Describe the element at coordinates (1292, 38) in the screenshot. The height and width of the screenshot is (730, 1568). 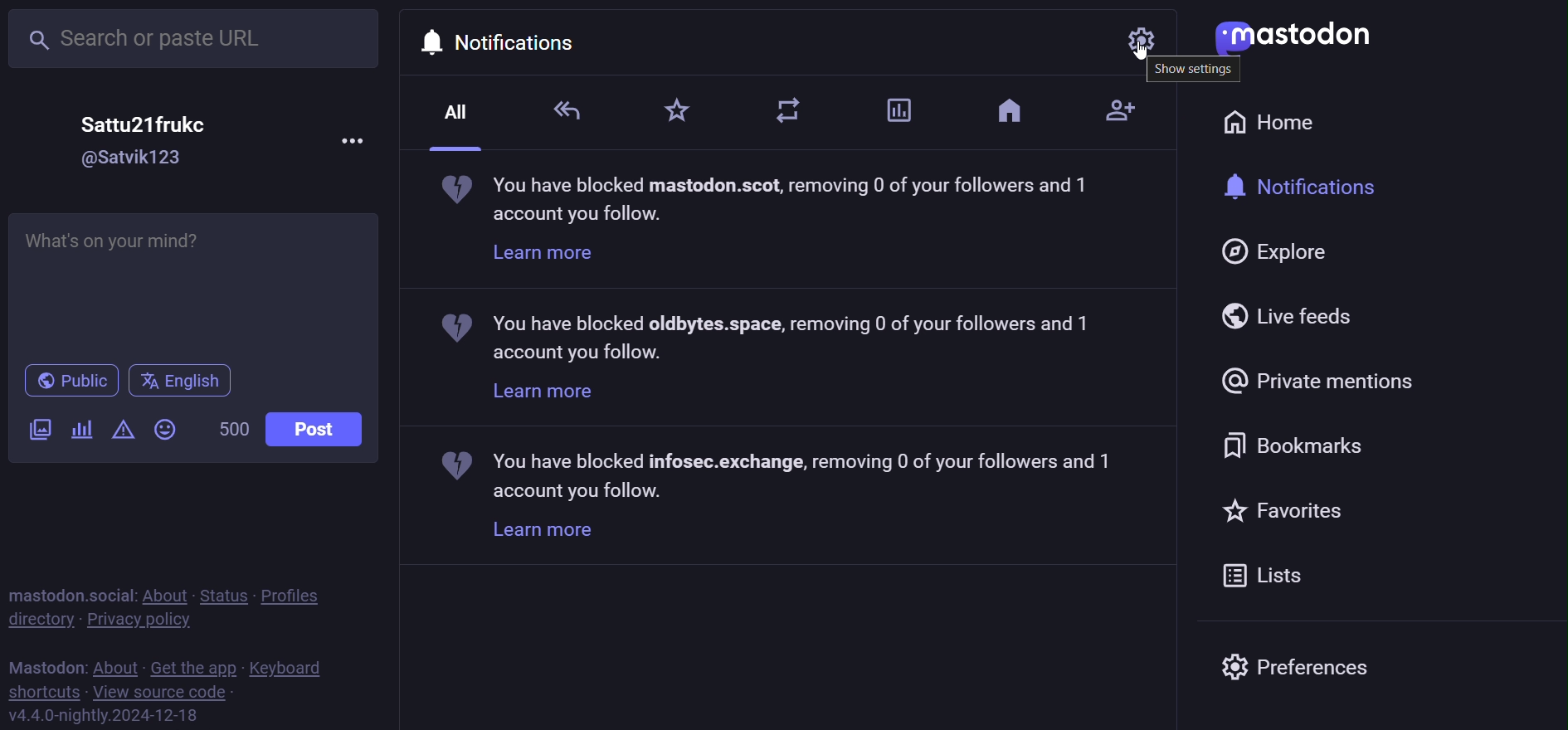
I see `mastodon` at that location.